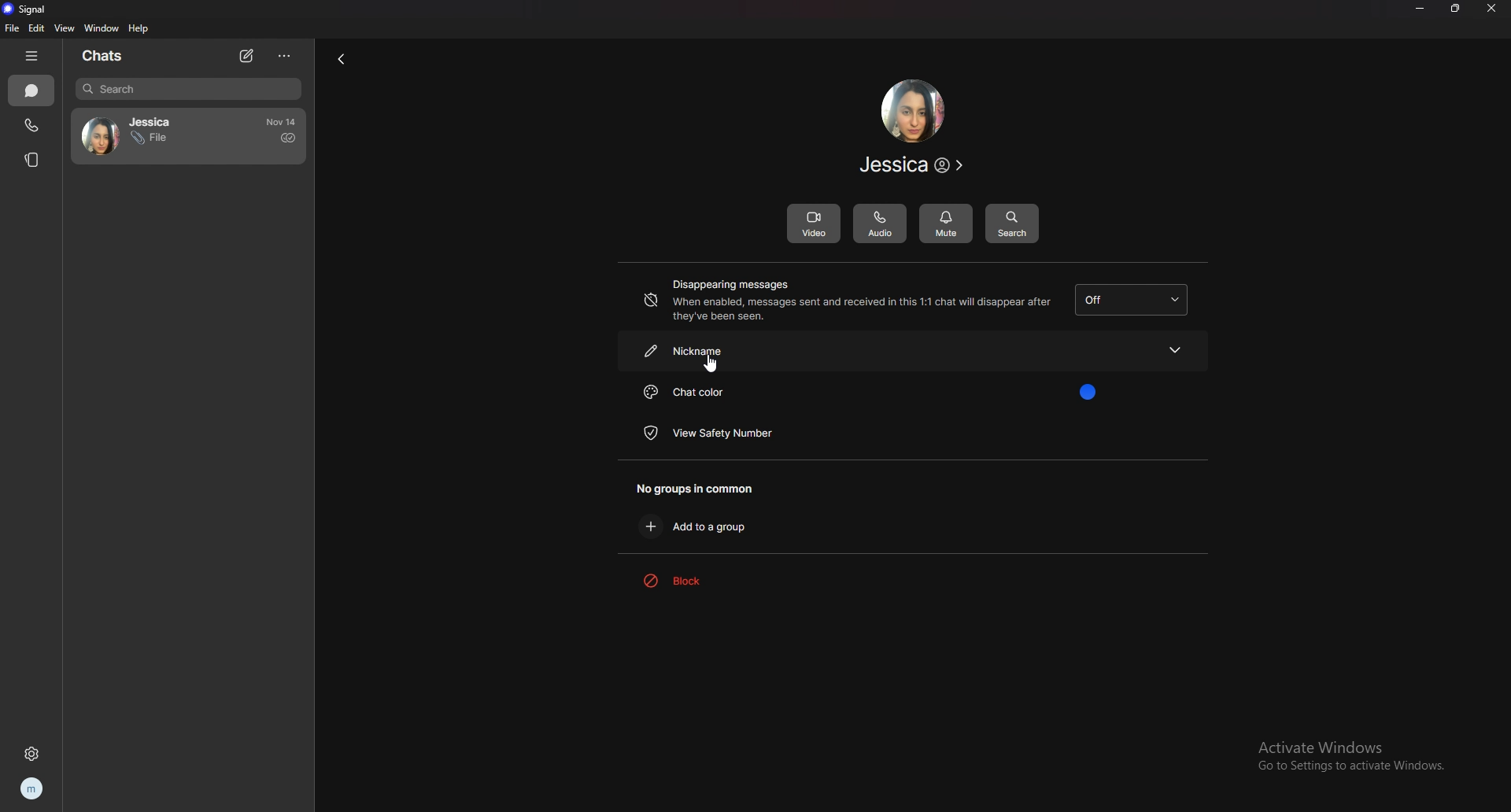 The height and width of the screenshot is (812, 1511). What do you see at coordinates (38, 789) in the screenshot?
I see `profile` at bounding box center [38, 789].